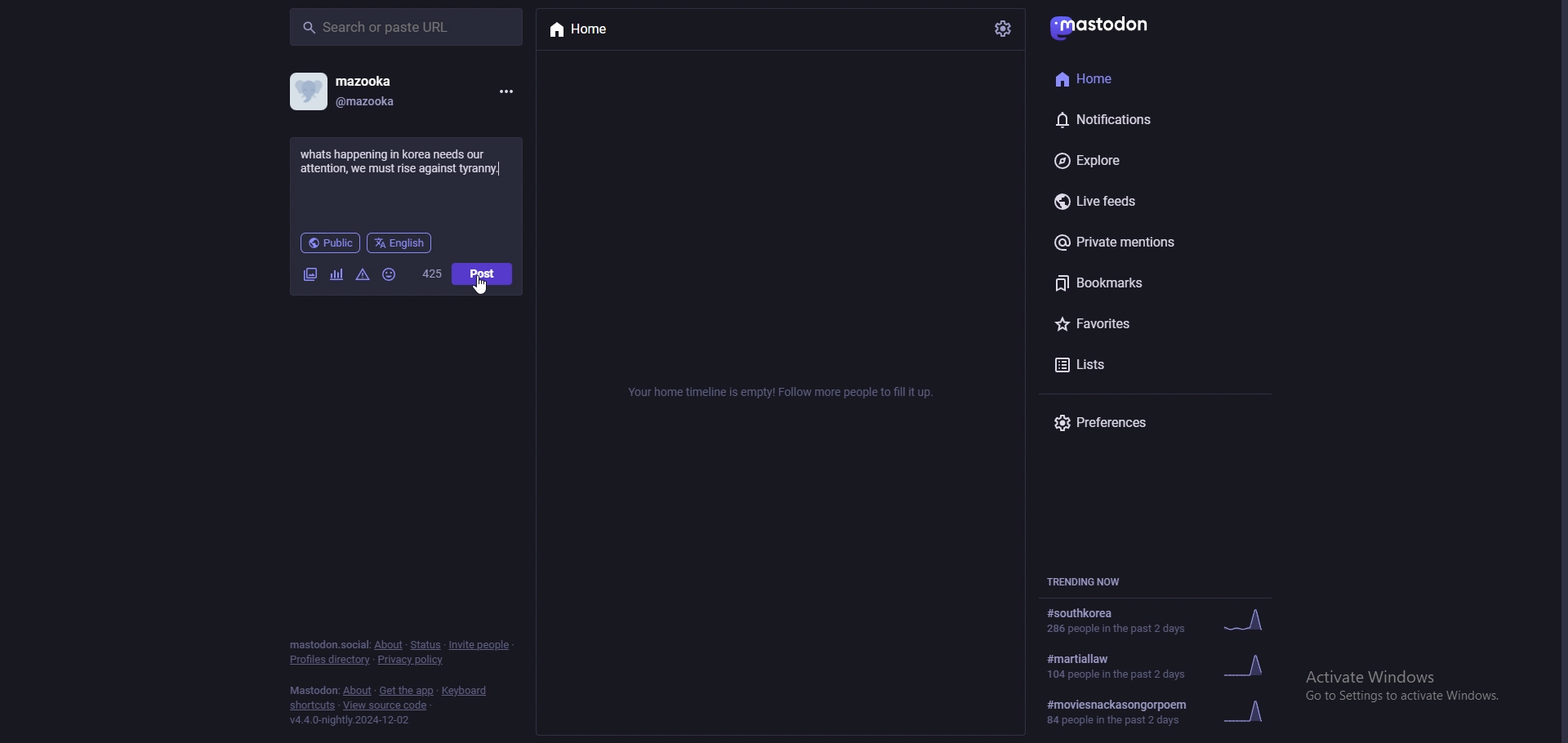 This screenshot has height=743, width=1568. Describe the element at coordinates (1159, 620) in the screenshot. I see `trending` at that location.